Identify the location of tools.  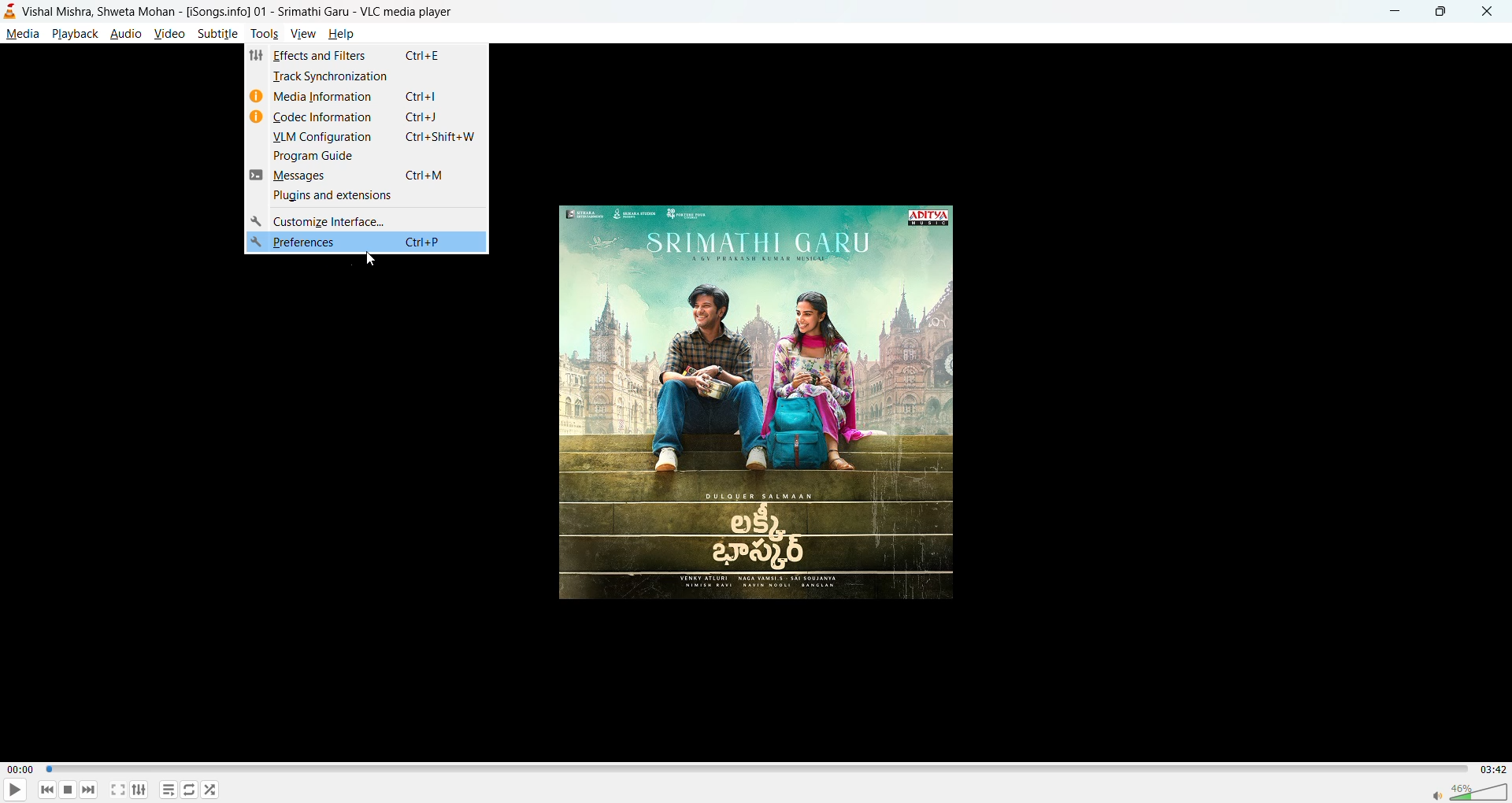
(263, 34).